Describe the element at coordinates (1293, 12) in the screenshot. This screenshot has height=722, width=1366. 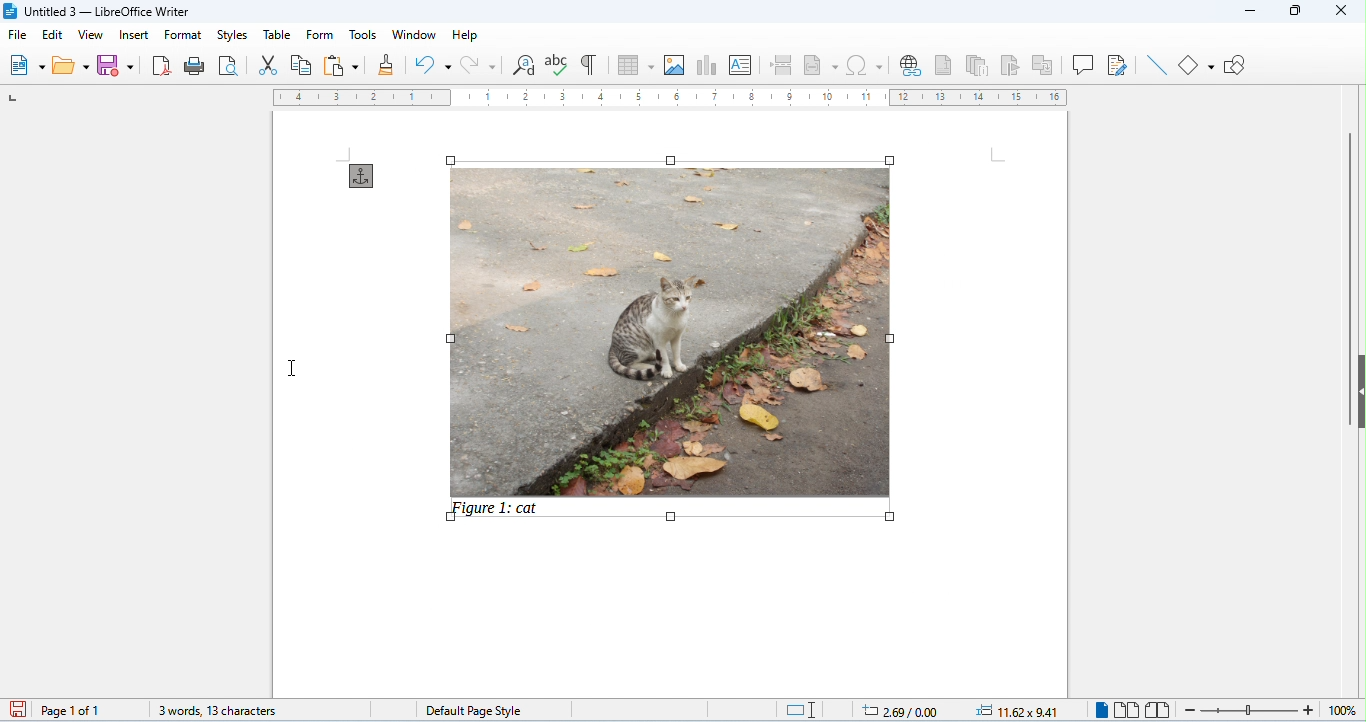
I see `maximize` at that location.